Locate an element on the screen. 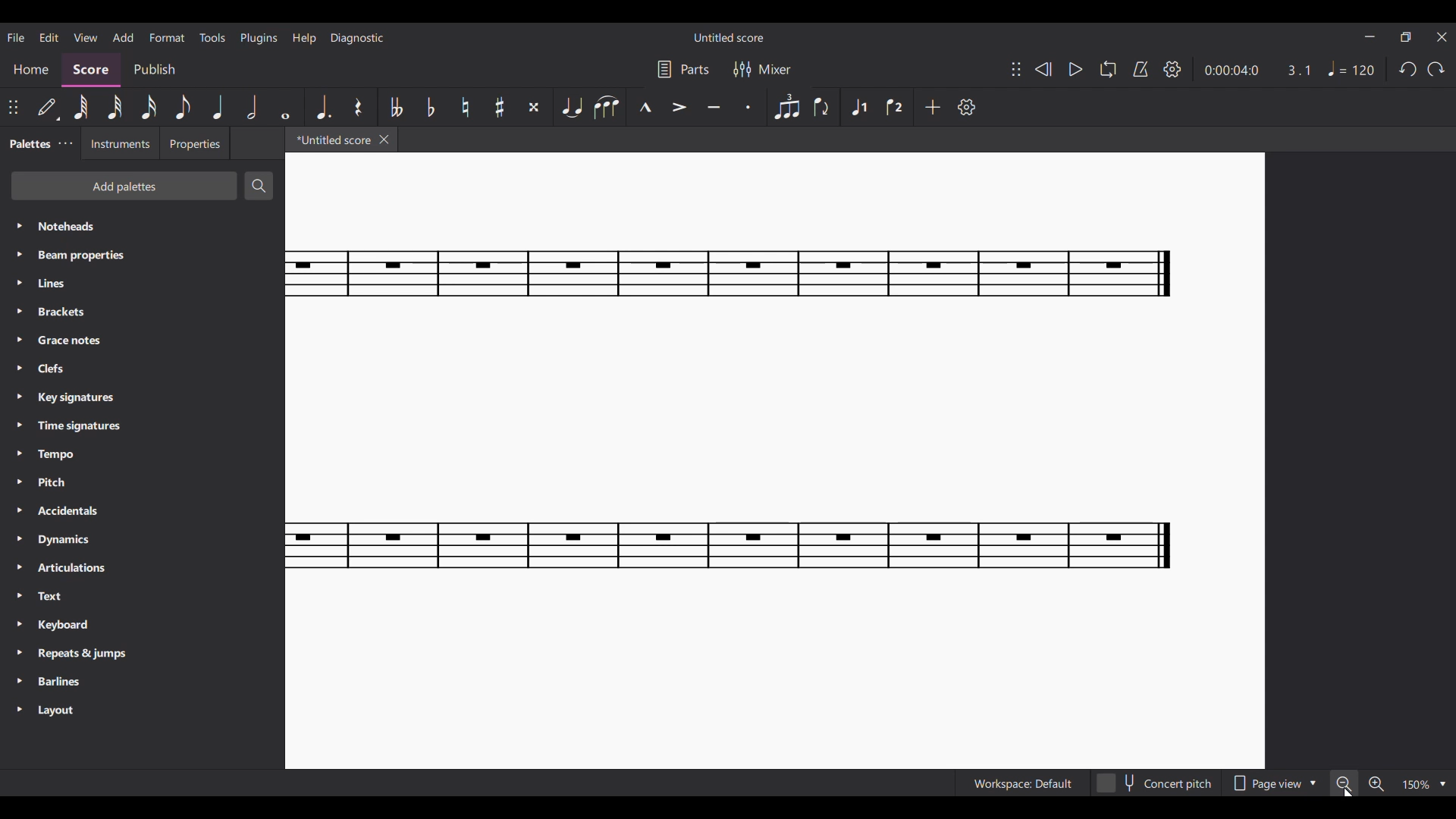  Zoom out, highlighted by cursor is located at coordinates (1343, 783).